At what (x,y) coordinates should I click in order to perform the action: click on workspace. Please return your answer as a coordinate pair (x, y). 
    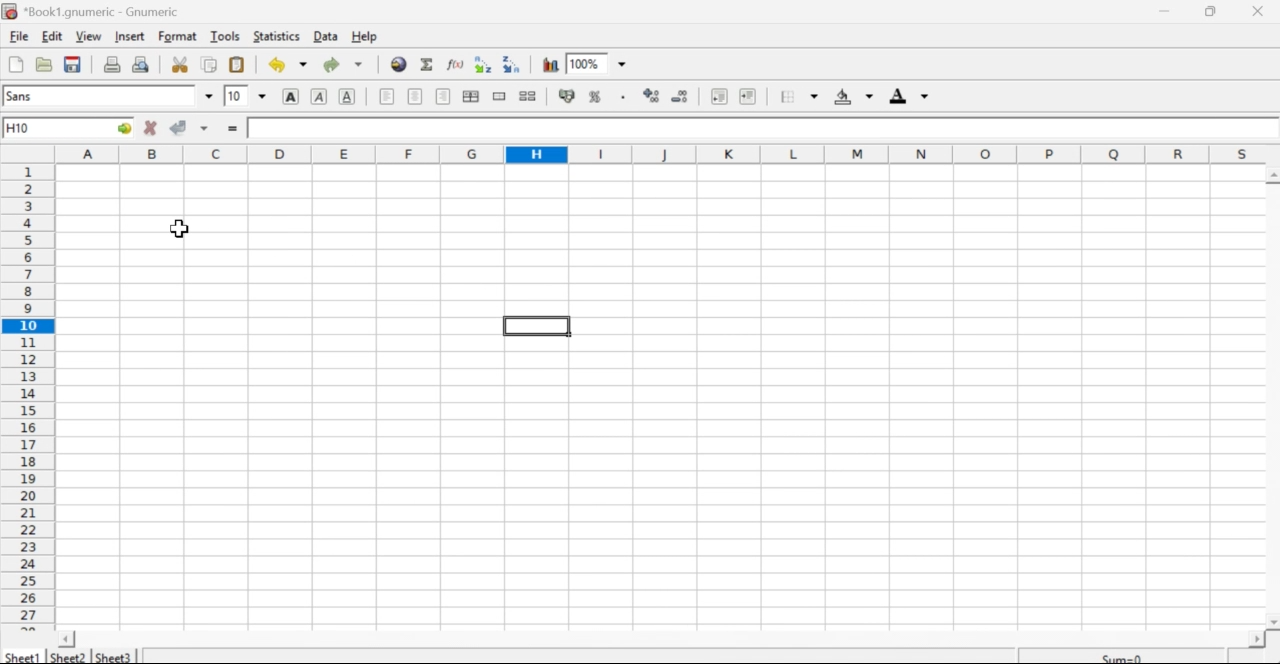
    Looking at the image, I should click on (632, 387).